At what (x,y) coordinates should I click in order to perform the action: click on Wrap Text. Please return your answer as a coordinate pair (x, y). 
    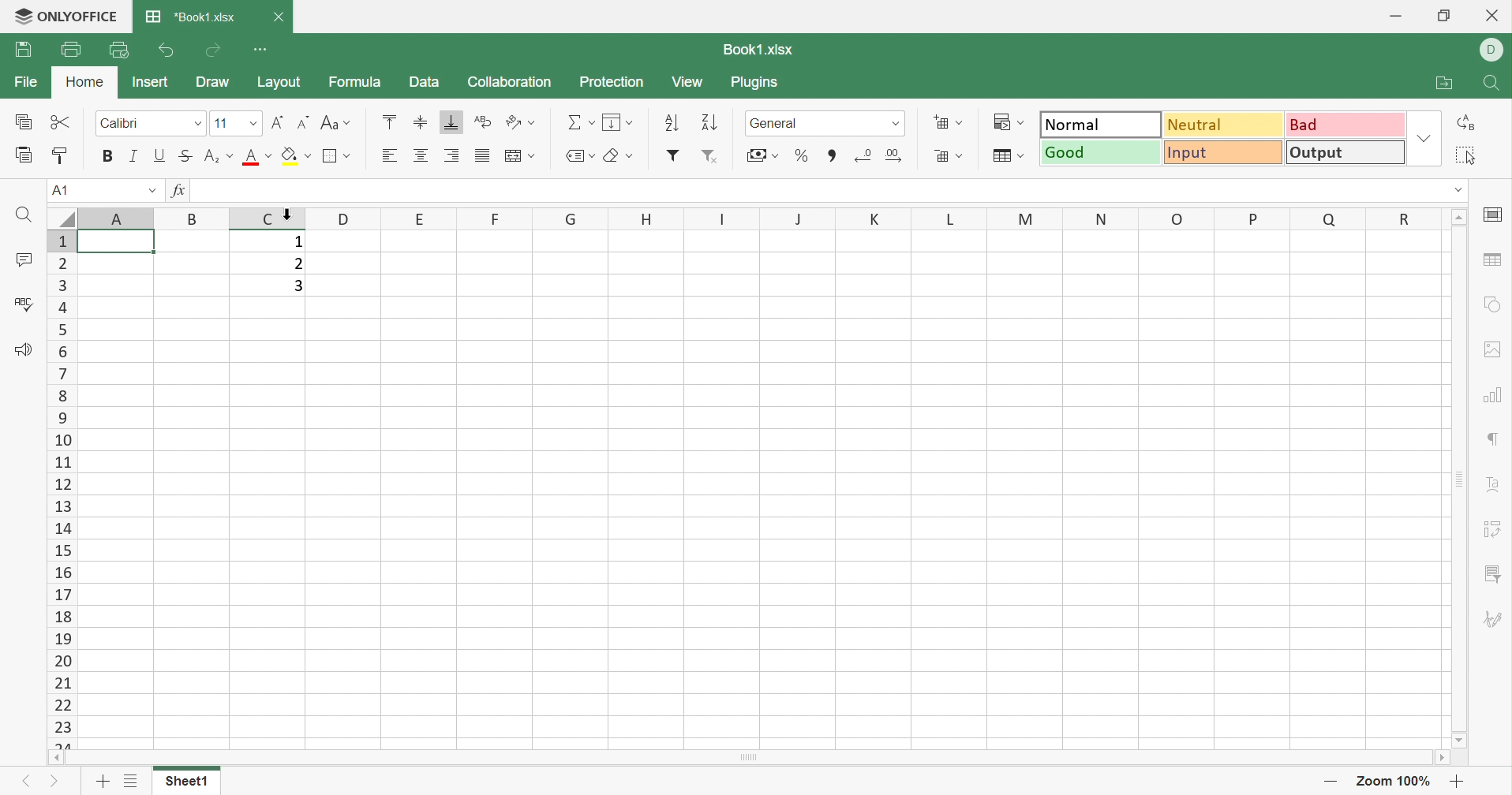
    Looking at the image, I should click on (480, 119).